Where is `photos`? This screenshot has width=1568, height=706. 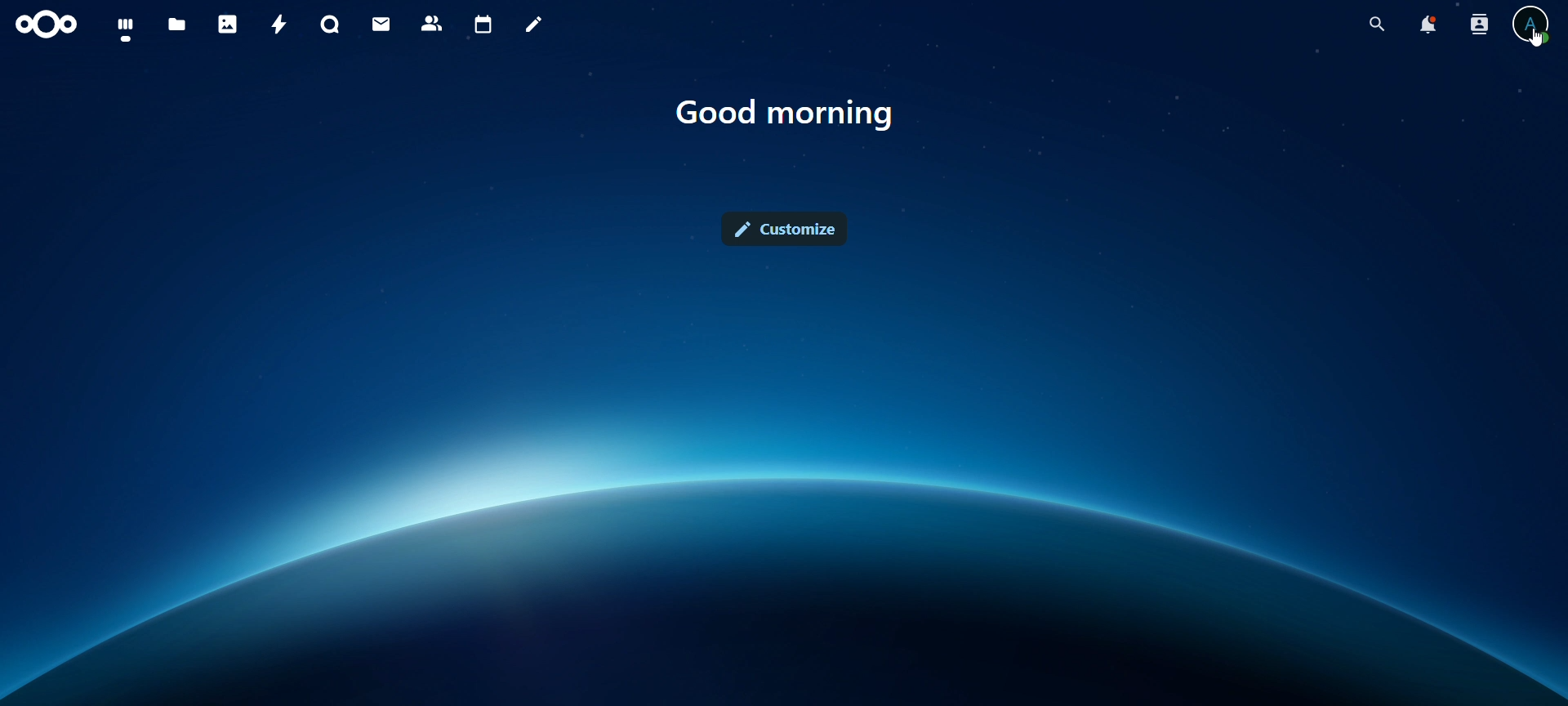 photos is located at coordinates (228, 24).